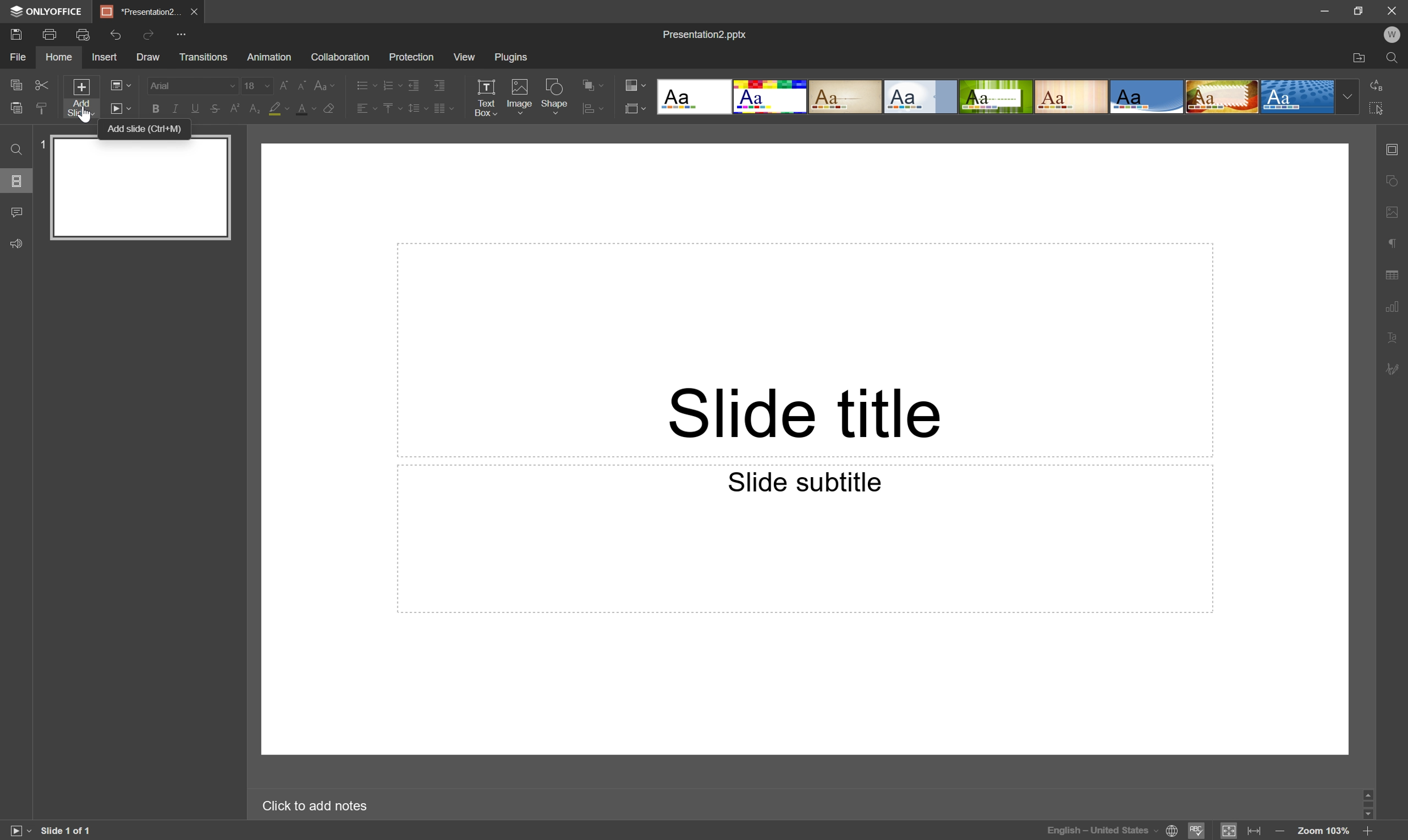  Describe the element at coordinates (141, 130) in the screenshot. I see `Add slide (ctrl+M)` at that location.